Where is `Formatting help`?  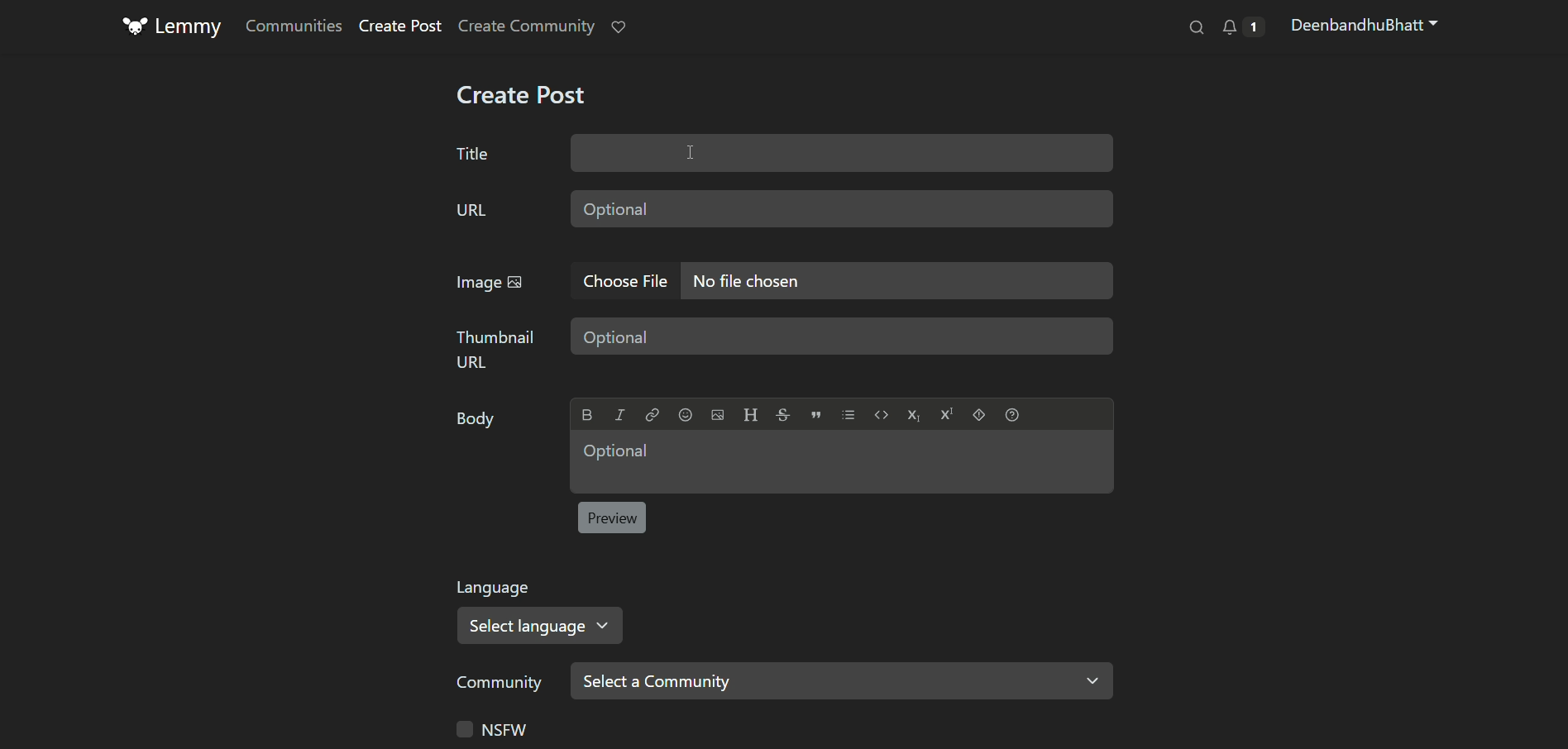
Formatting help is located at coordinates (1012, 414).